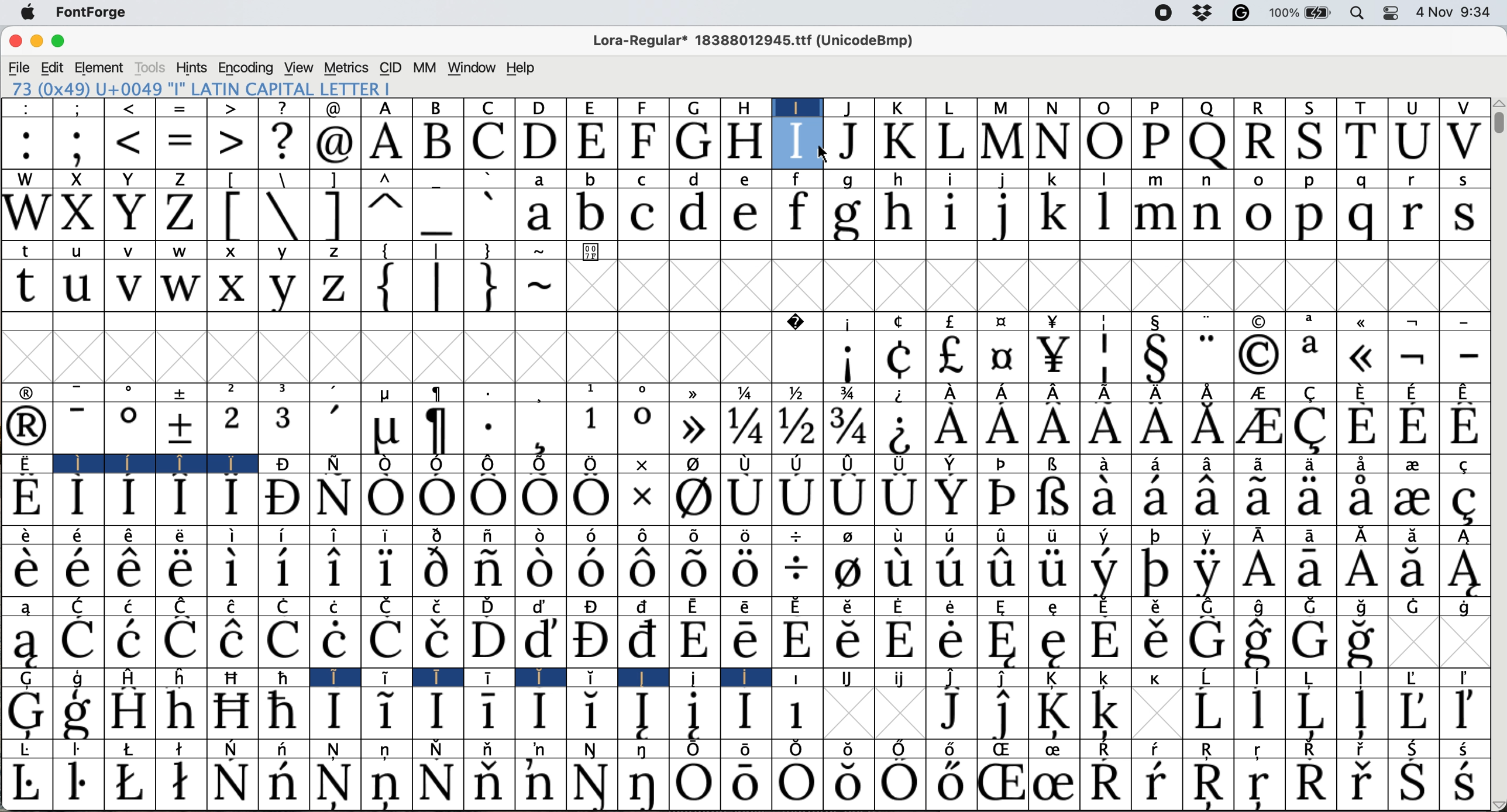 The image size is (1507, 812). Describe the element at coordinates (231, 642) in the screenshot. I see `Symbol` at that location.